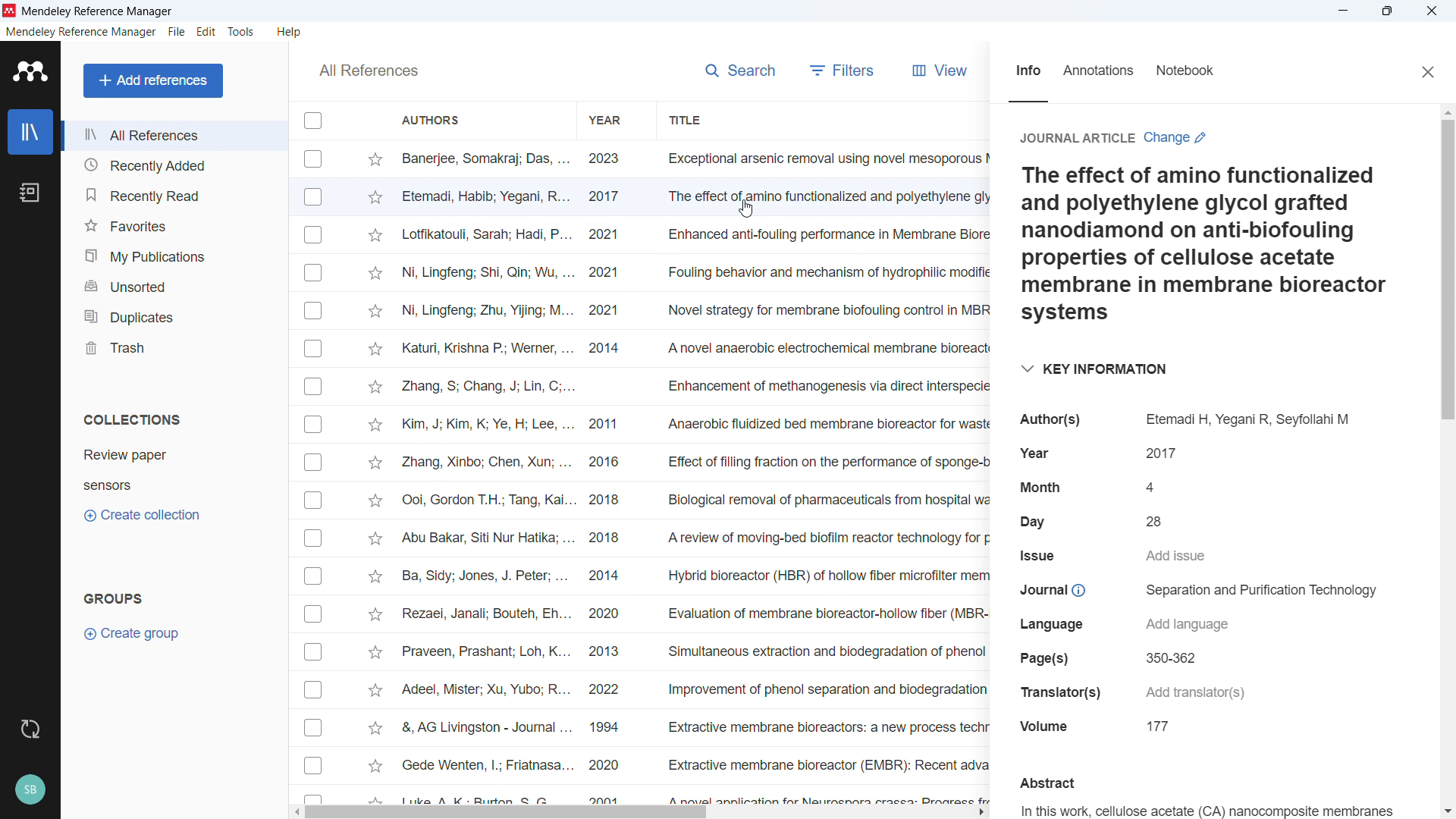 This screenshot has width=1456, height=819. What do you see at coordinates (1114, 554) in the screenshot?
I see `Issue ` at bounding box center [1114, 554].